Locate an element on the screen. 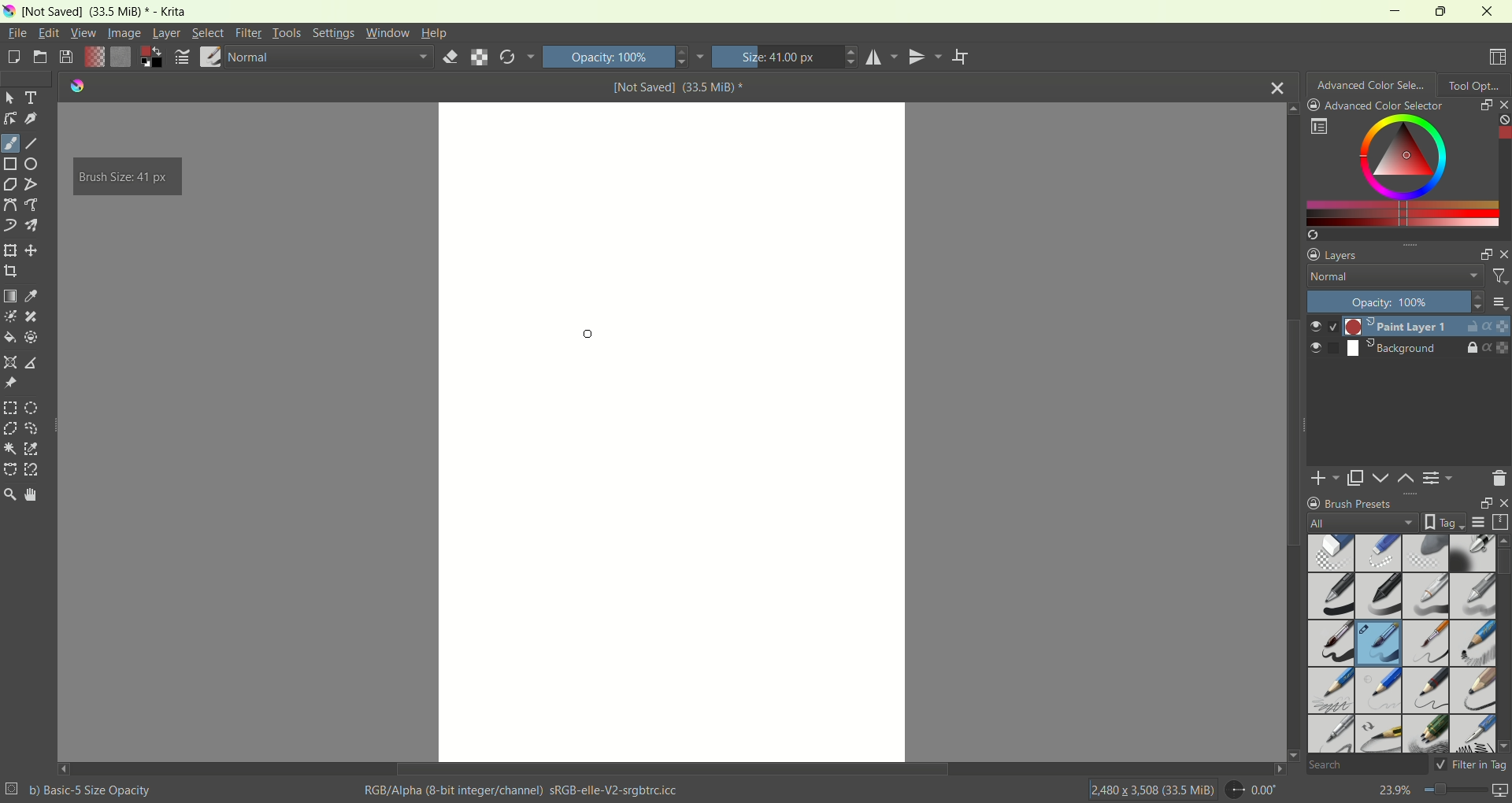 The image size is (1512, 803). delete is located at coordinates (1499, 478).